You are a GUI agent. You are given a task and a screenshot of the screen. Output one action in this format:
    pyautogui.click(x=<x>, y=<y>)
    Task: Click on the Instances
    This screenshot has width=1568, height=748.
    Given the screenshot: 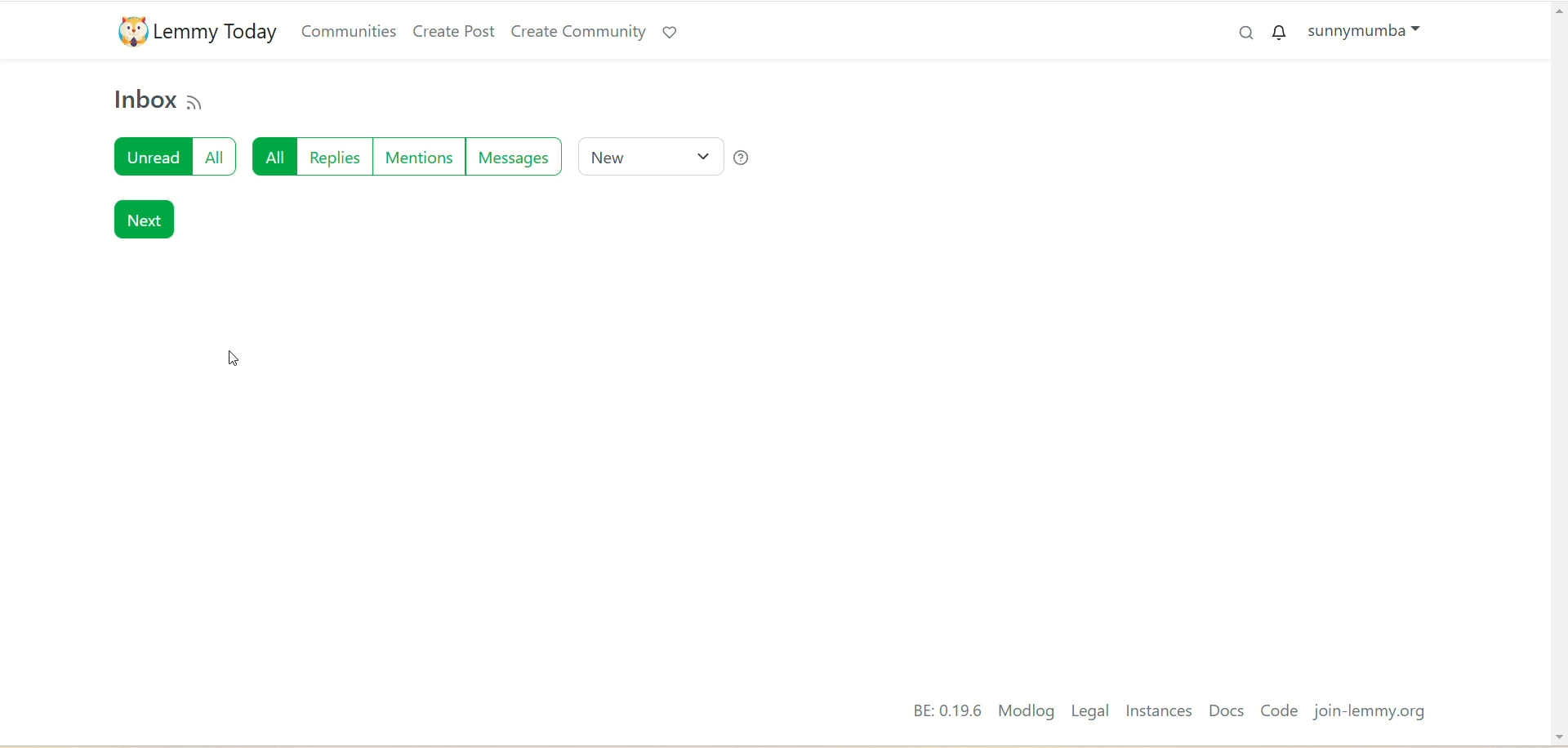 What is the action you would take?
    pyautogui.click(x=1159, y=711)
    